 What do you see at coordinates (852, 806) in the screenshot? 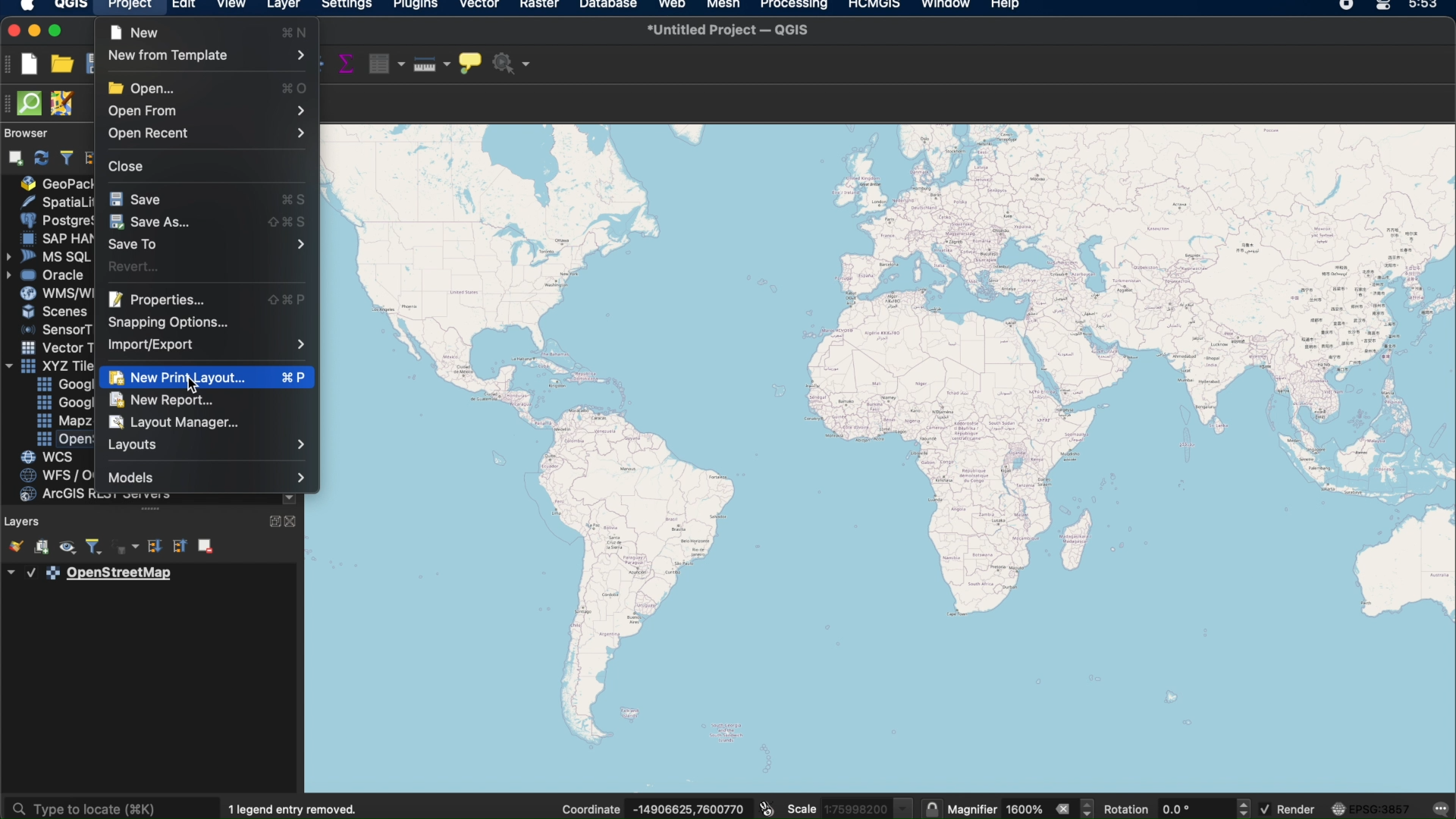
I see `scale` at bounding box center [852, 806].